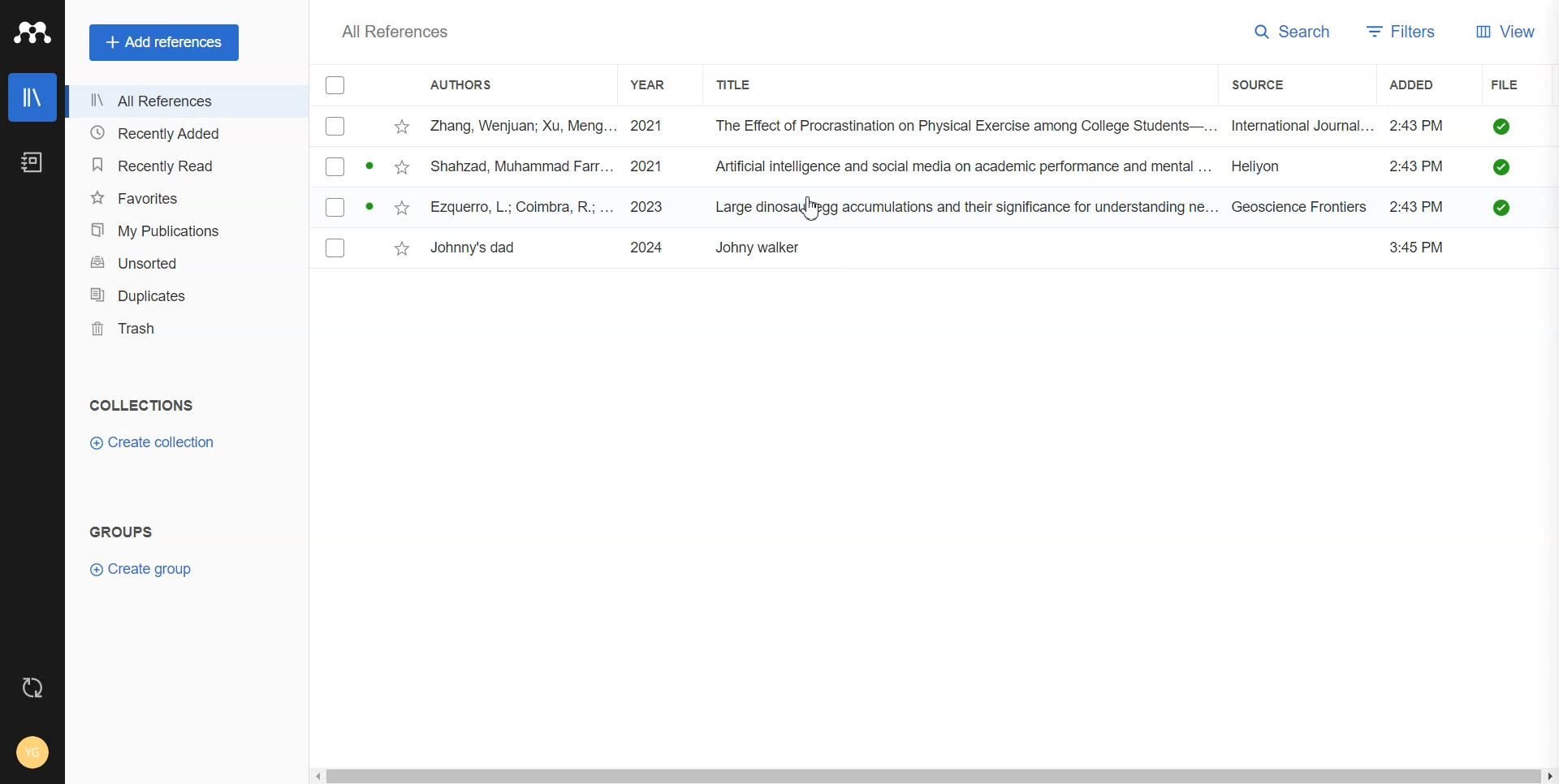 The image size is (1559, 784). Describe the element at coordinates (32, 97) in the screenshot. I see `Library` at that location.